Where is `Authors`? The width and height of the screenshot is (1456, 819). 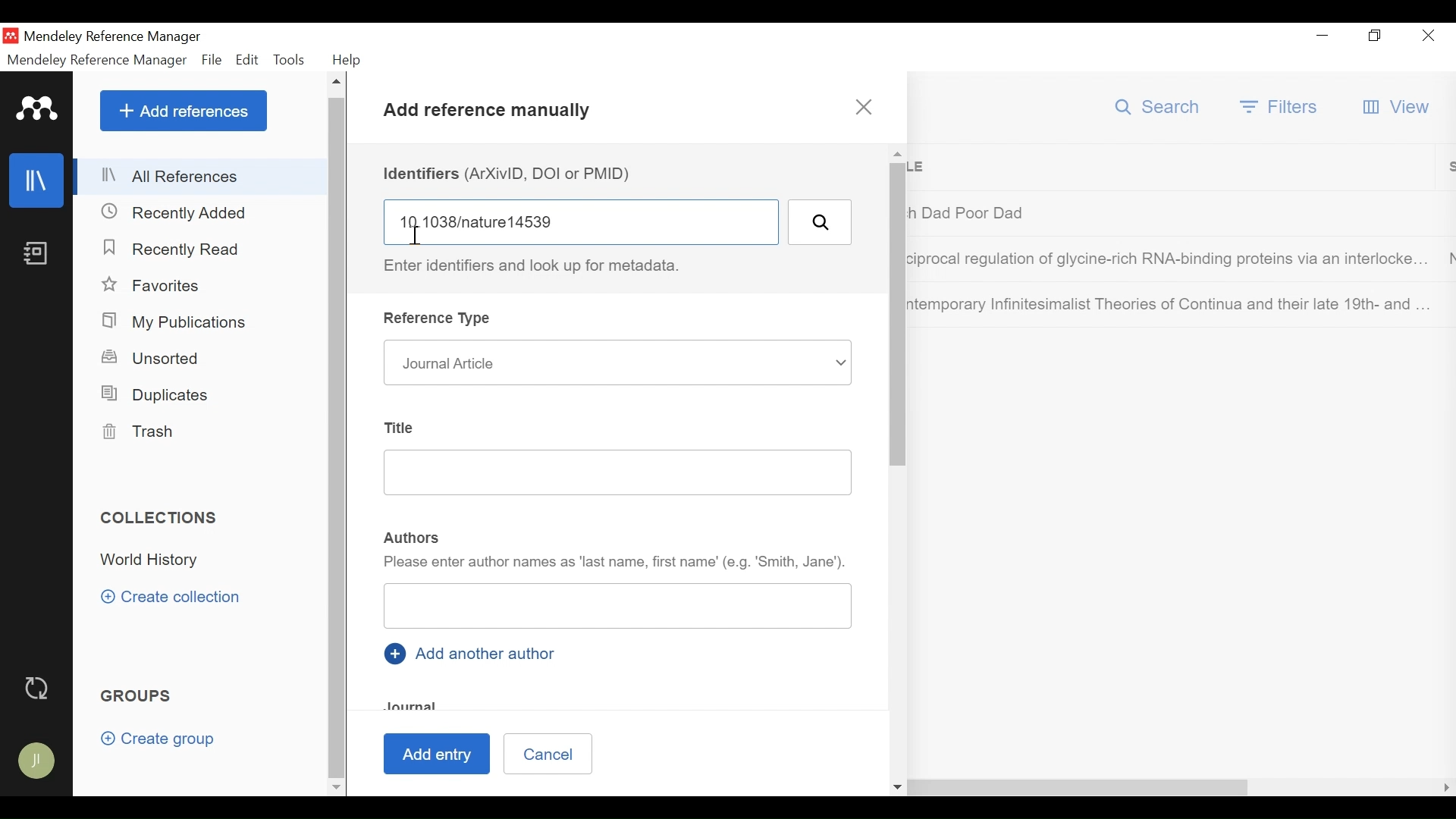 Authors is located at coordinates (413, 538).